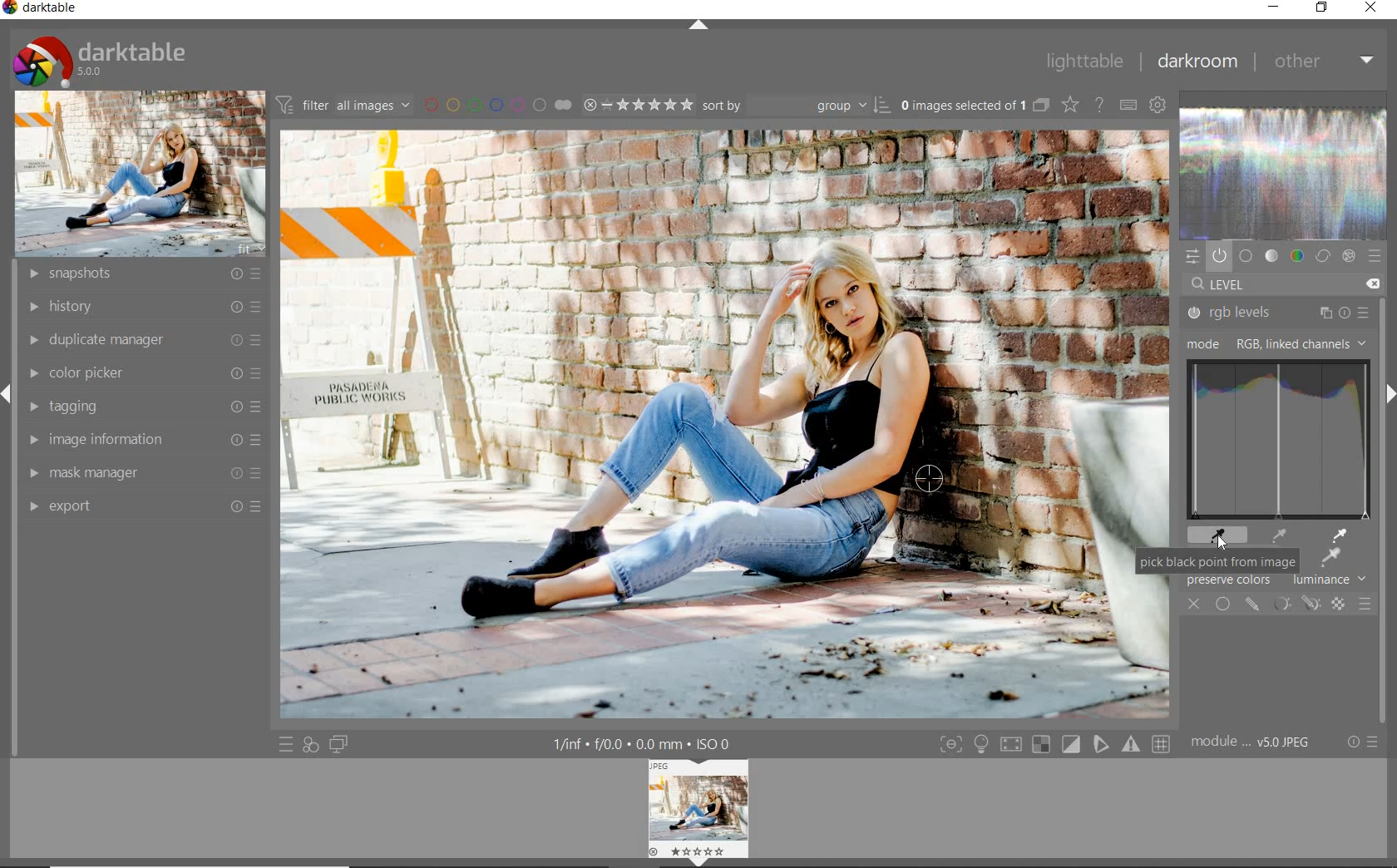  I want to click on other, so click(1323, 62).